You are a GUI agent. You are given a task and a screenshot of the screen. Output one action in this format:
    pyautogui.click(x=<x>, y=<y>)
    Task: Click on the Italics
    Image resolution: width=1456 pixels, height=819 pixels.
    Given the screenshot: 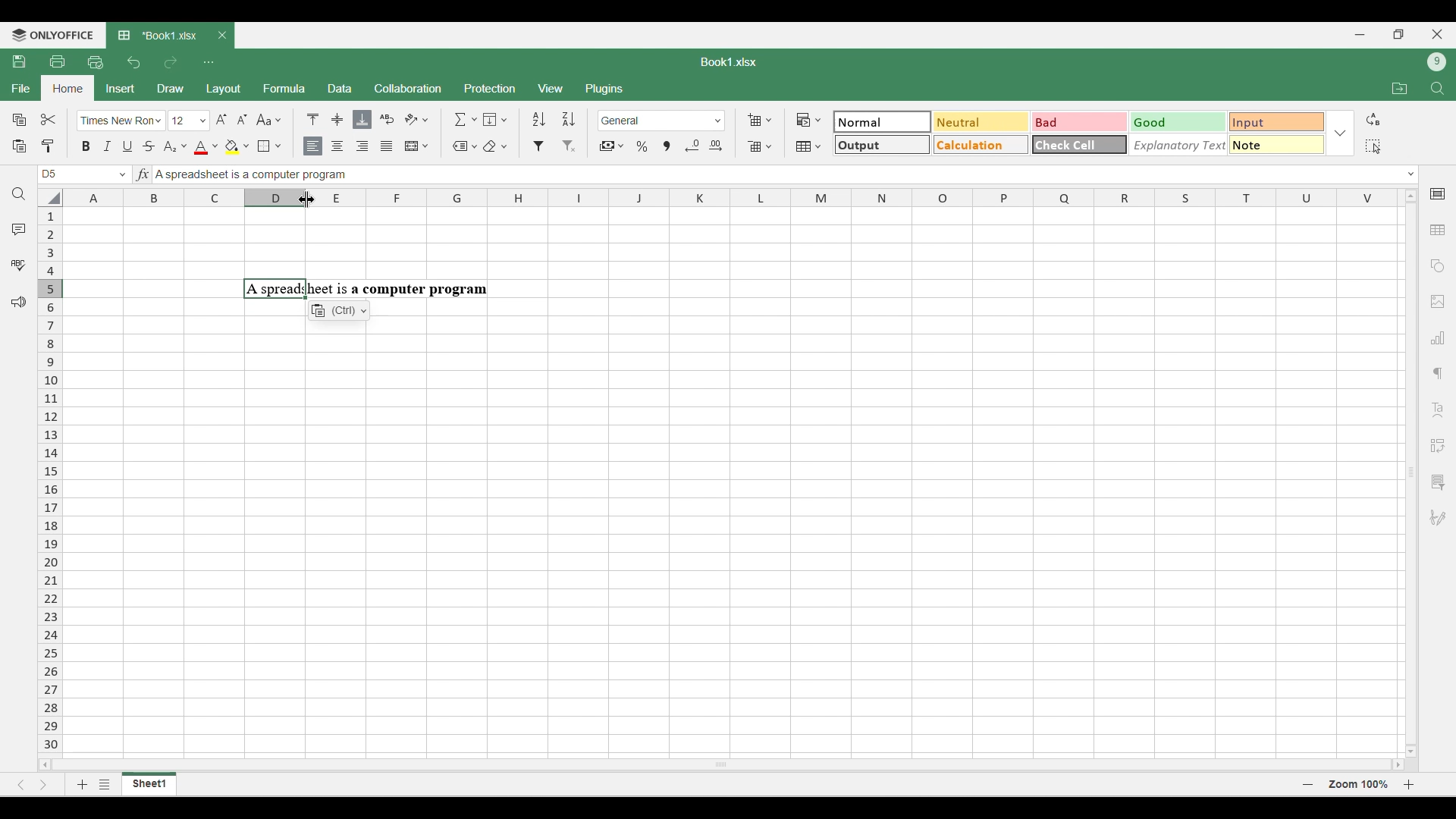 What is the action you would take?
    pyautogui.click(x=107, y=146)
    